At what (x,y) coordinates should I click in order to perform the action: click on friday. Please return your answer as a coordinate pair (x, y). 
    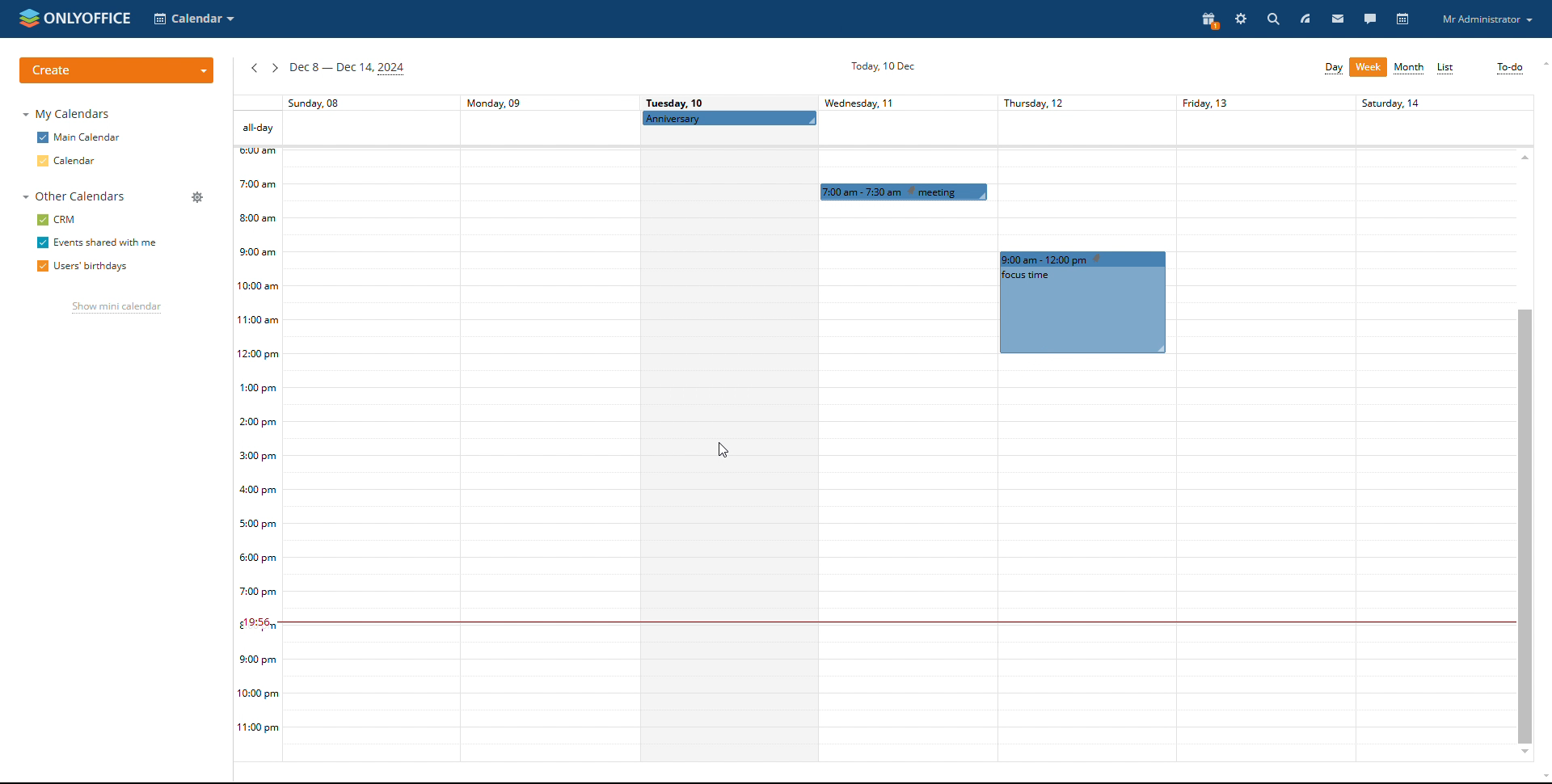
    Looking at the image, I should click on (1262, 428).